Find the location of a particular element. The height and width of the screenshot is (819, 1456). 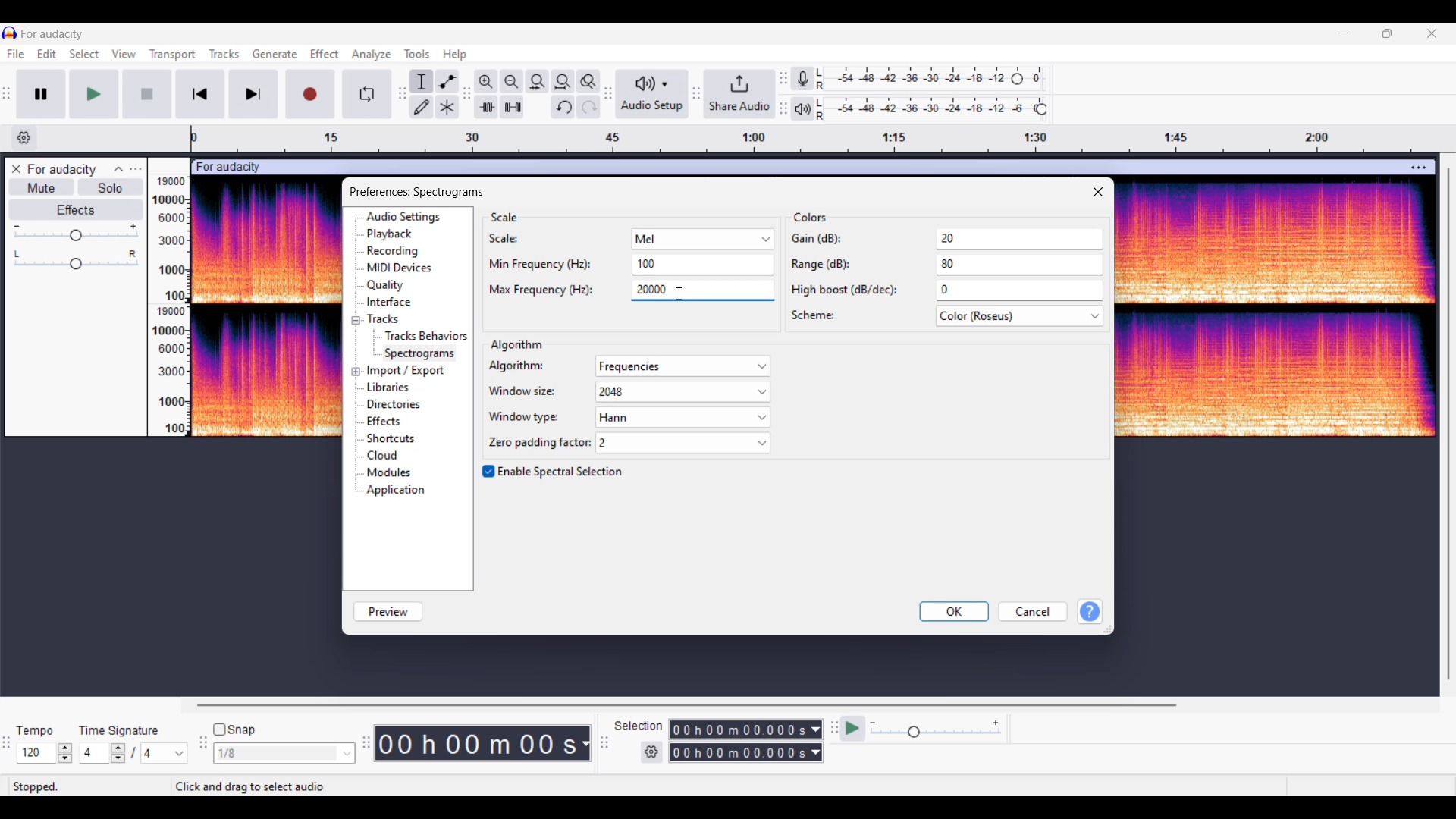

Indicates time signature settings  is located at coordinates (119, 731).